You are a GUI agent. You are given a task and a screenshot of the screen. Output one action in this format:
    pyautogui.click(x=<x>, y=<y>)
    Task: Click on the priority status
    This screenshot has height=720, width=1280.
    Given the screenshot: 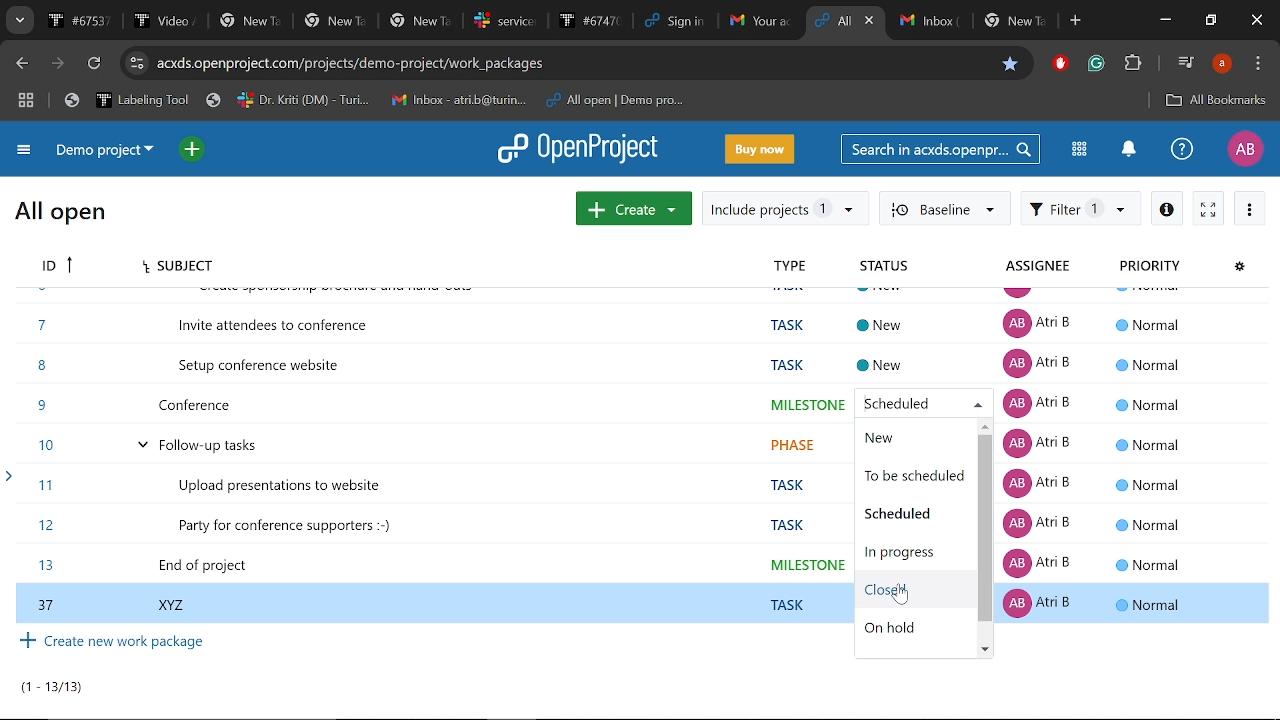 What is the action you would take?
    pyautogui.click(x=1147, y=453)
    